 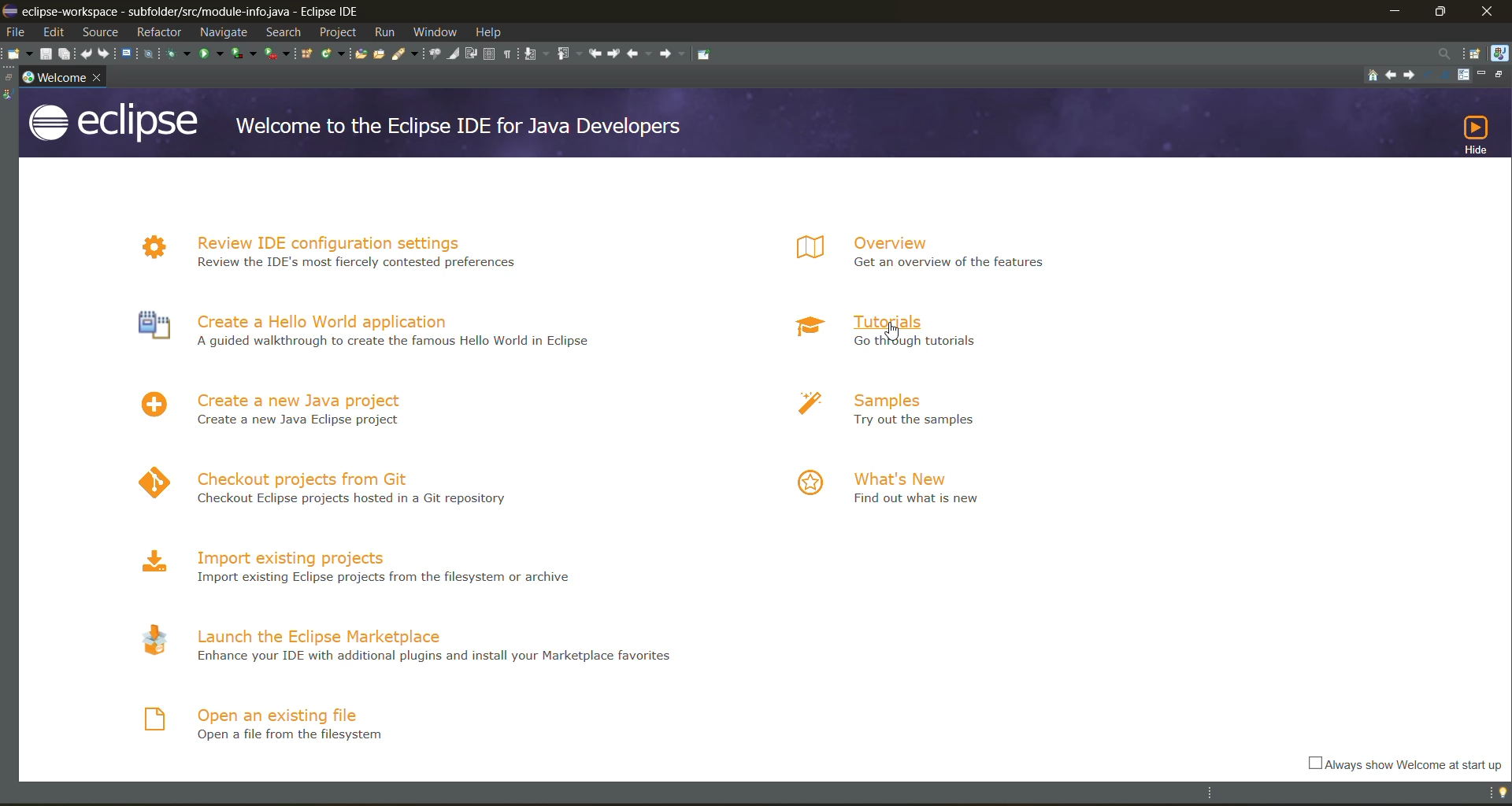 I want to click on new java class, so click(x=335, y=54).